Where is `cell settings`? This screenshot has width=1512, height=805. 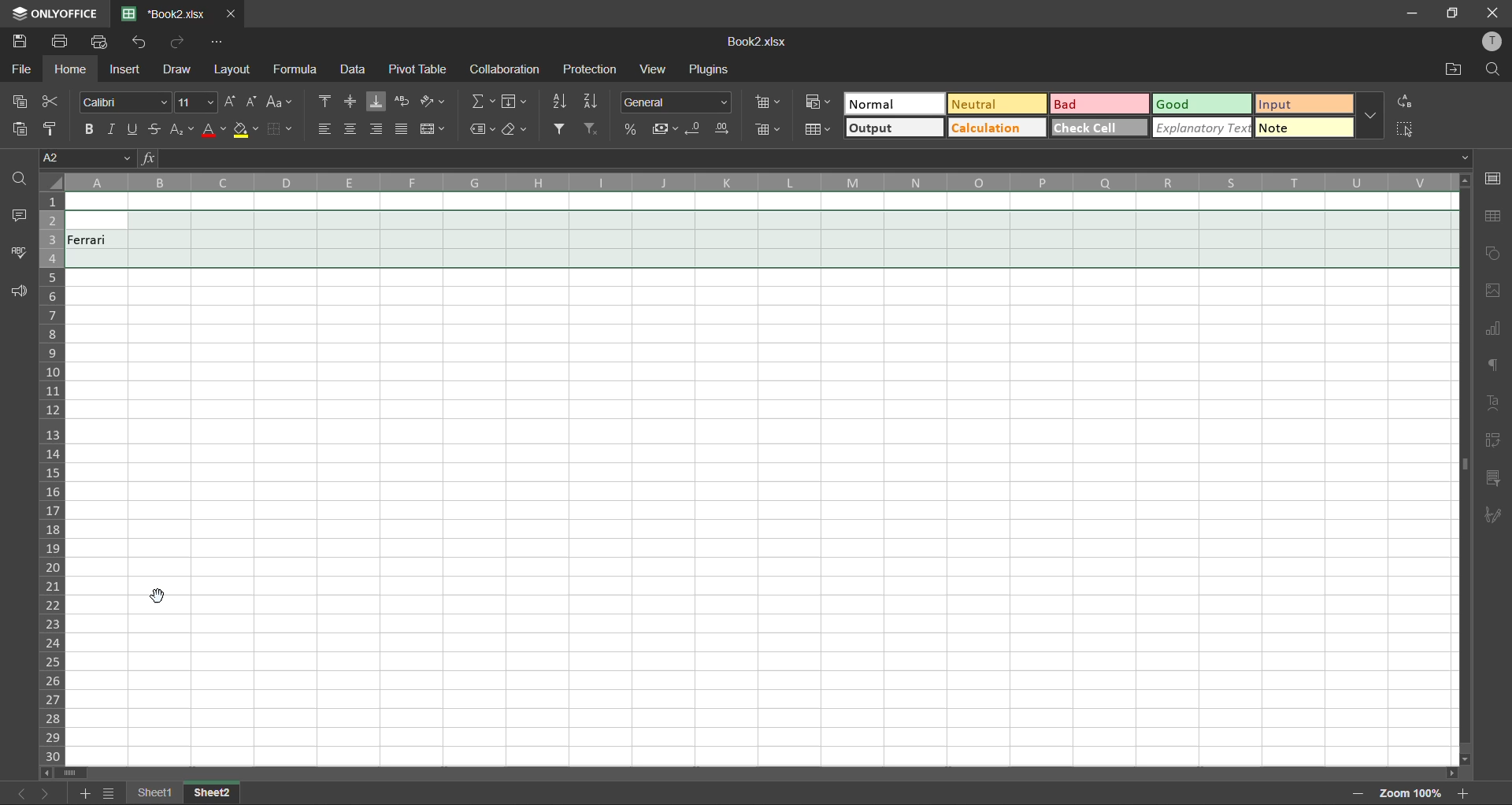 cell settings is located at coordinates (1492, 180).